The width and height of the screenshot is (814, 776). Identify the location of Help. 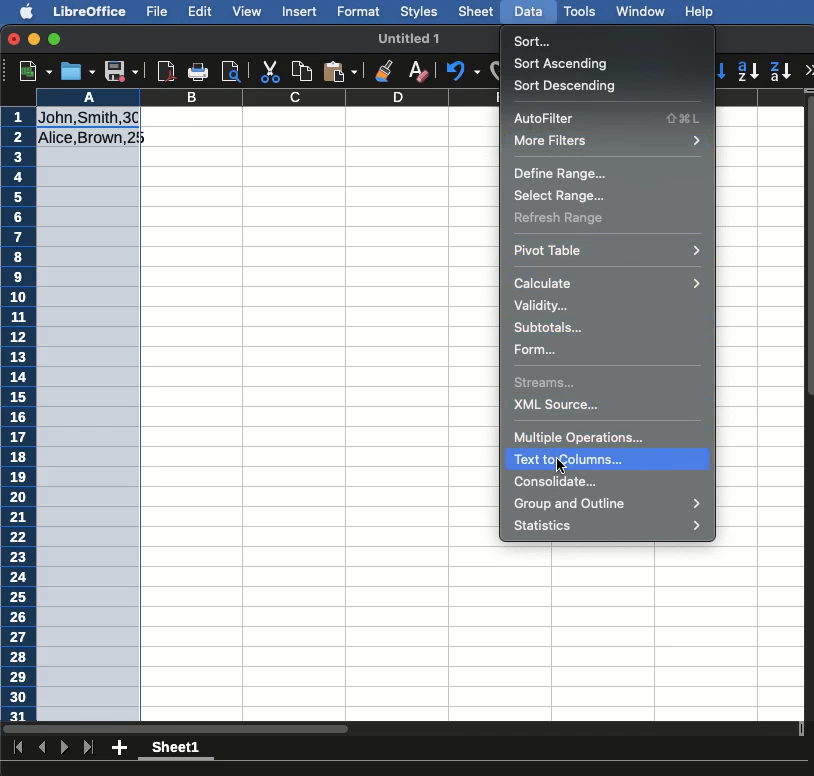
(701, 11).